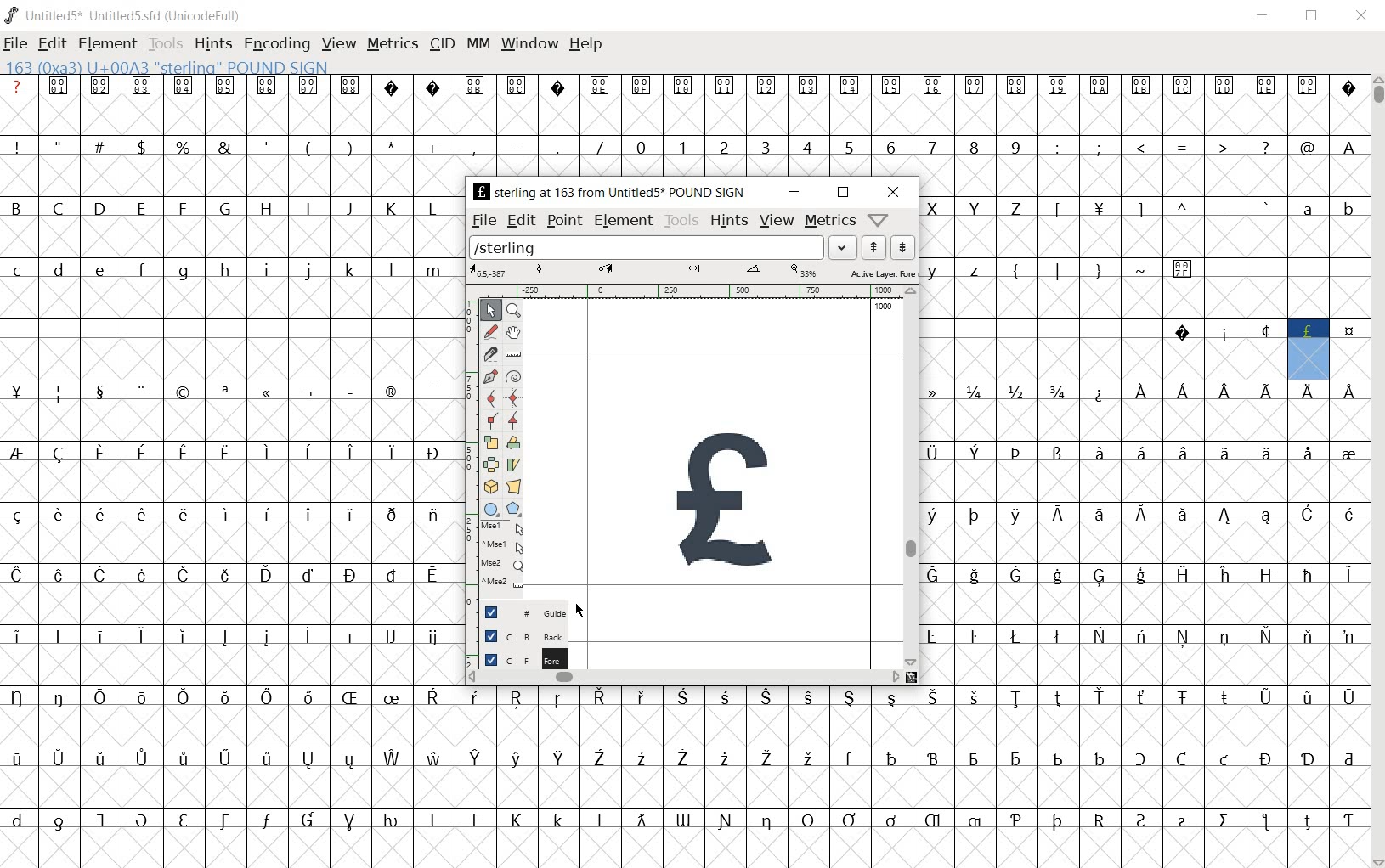 Image resolution: width=1385 pixels, height=868 pixels. I want to click on 7, so click(932, 148).